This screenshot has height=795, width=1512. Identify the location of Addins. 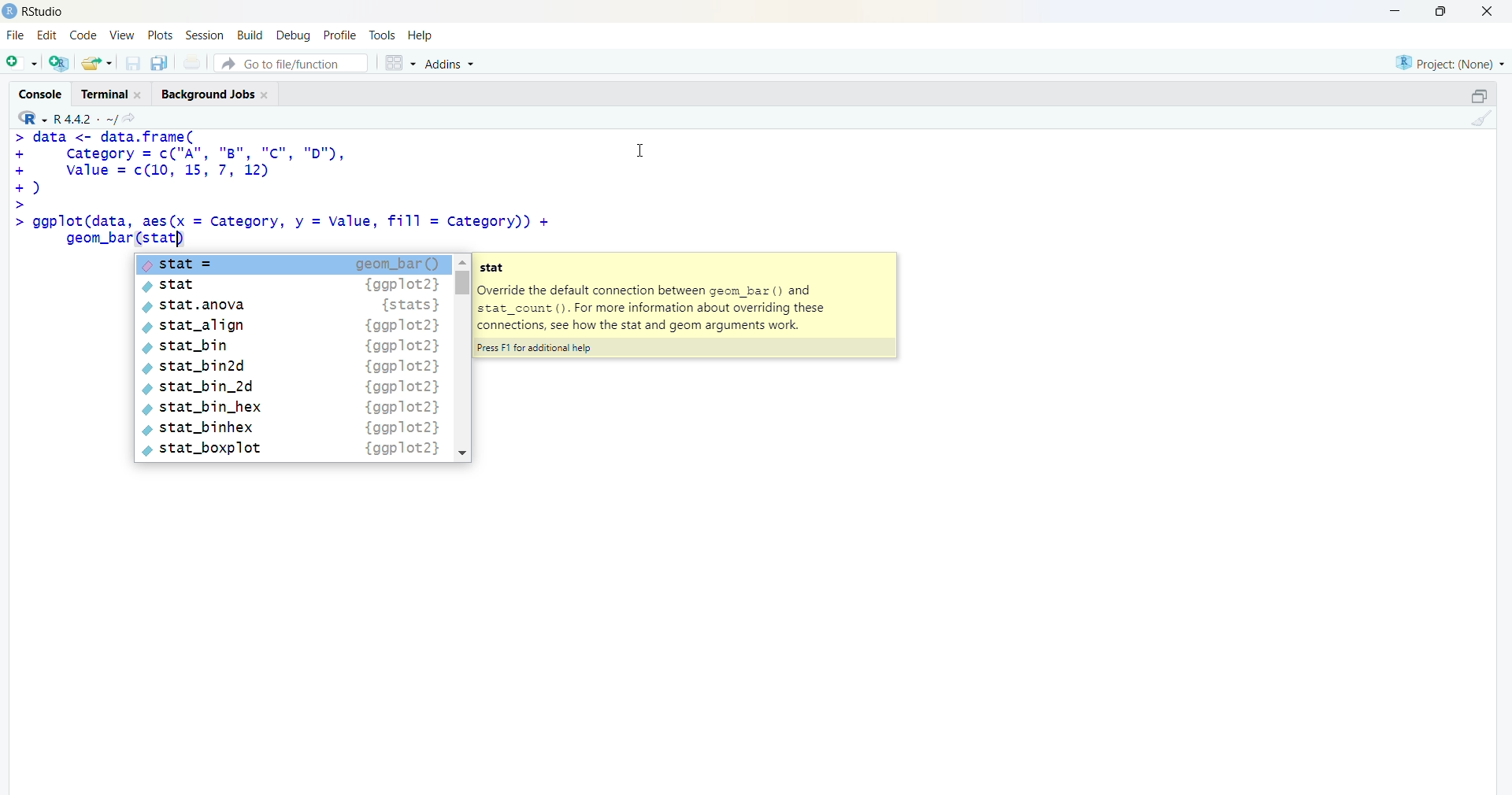
(453, 65).